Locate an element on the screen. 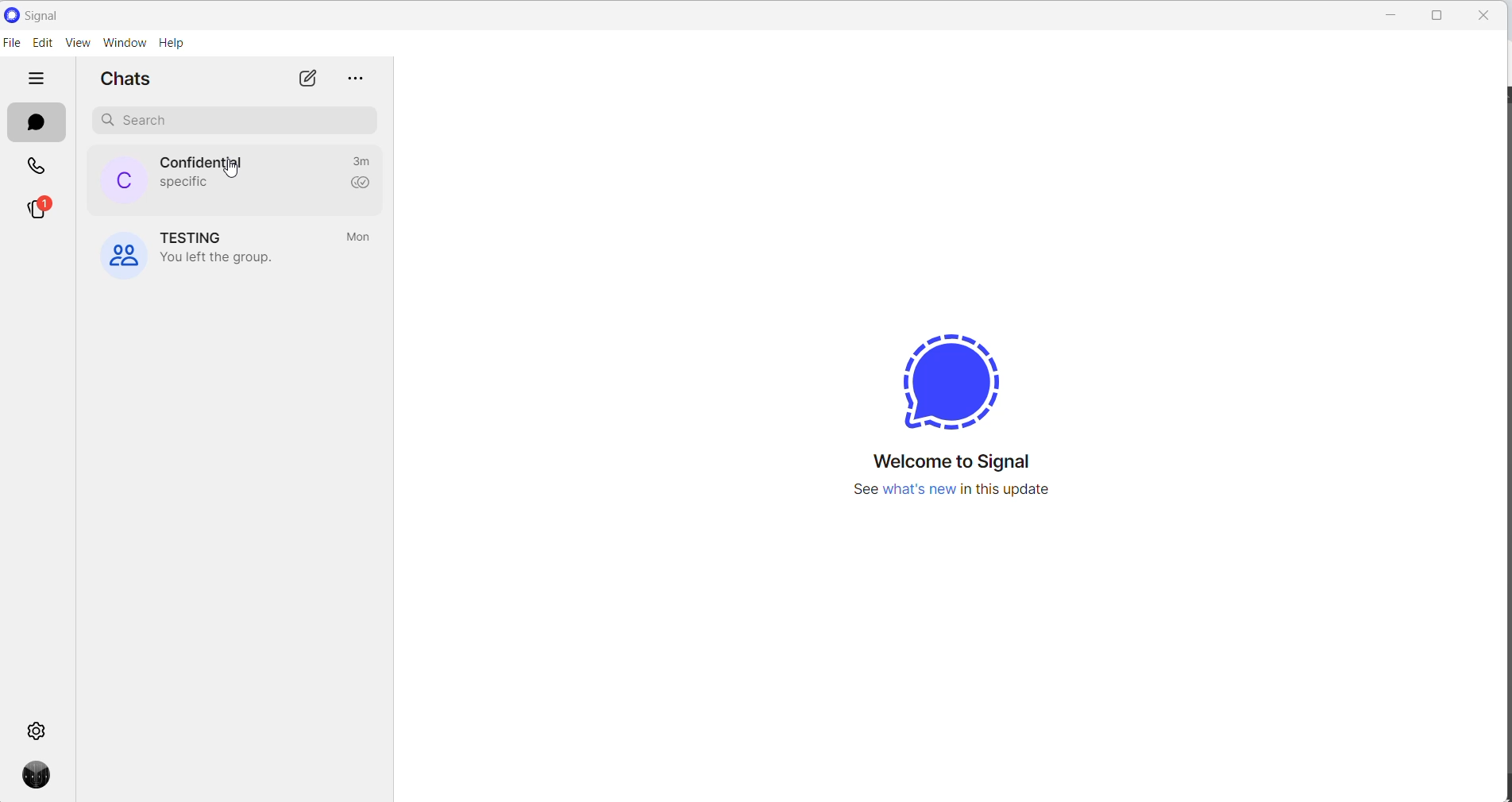 This screenshot has width=1512, height=802. welcome message is located at coordinates (961, 461).